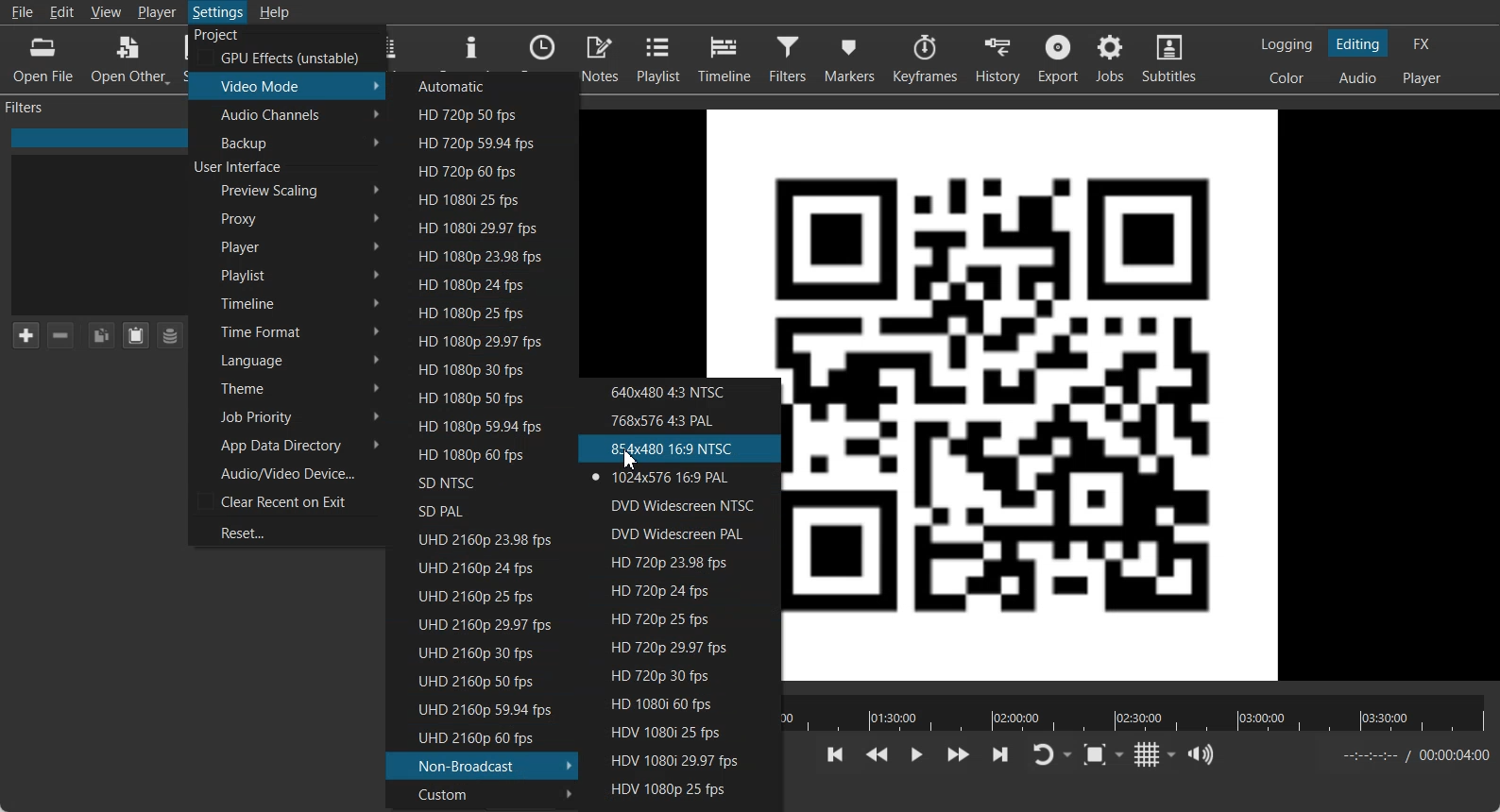 This screenshot has width=1500, height=812. Describe the element at coordinates (1357, 77) in the screenshot. I see `Switch to the Audio layout` at that location.